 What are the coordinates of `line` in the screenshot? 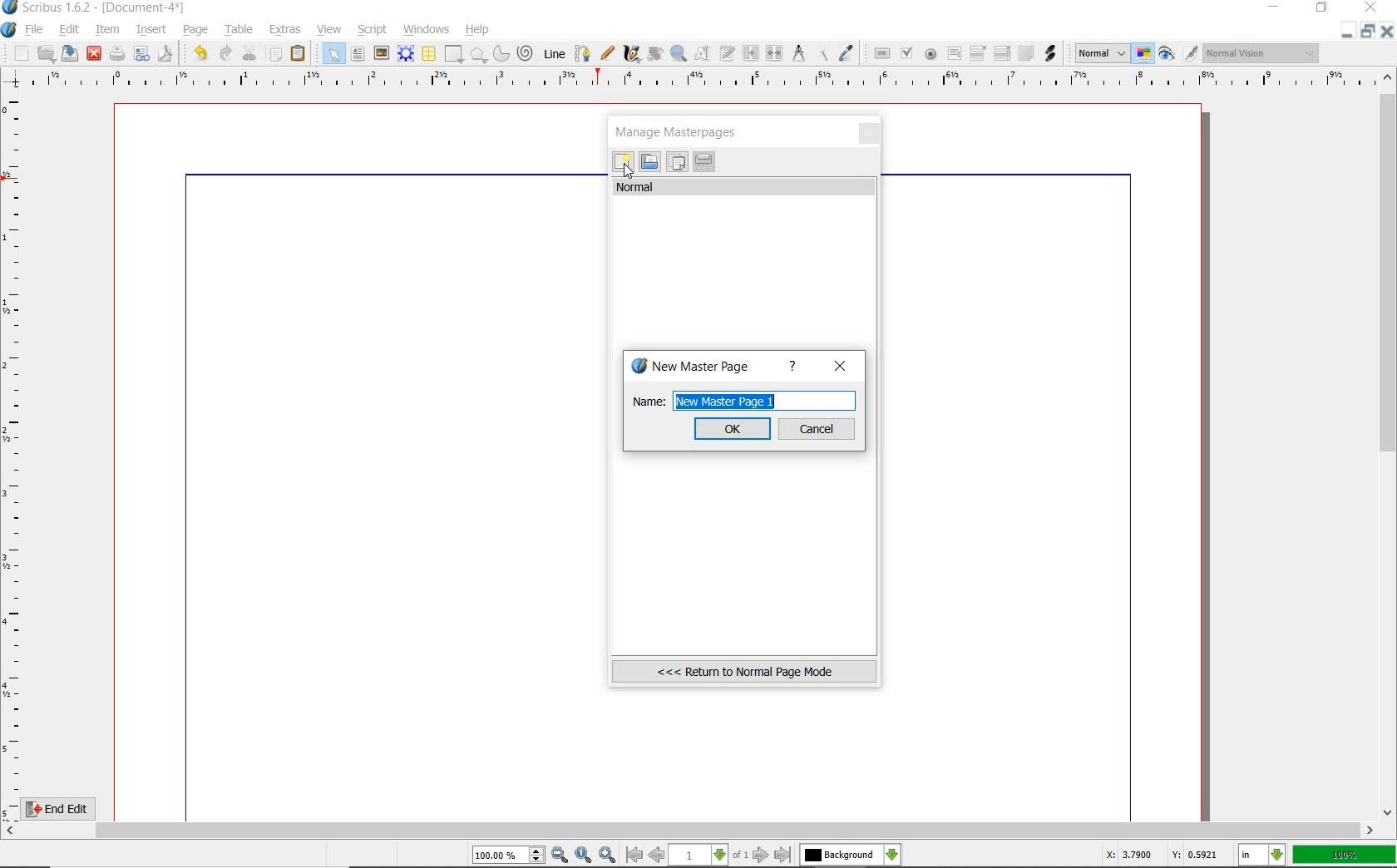 It's located at (553, 53).